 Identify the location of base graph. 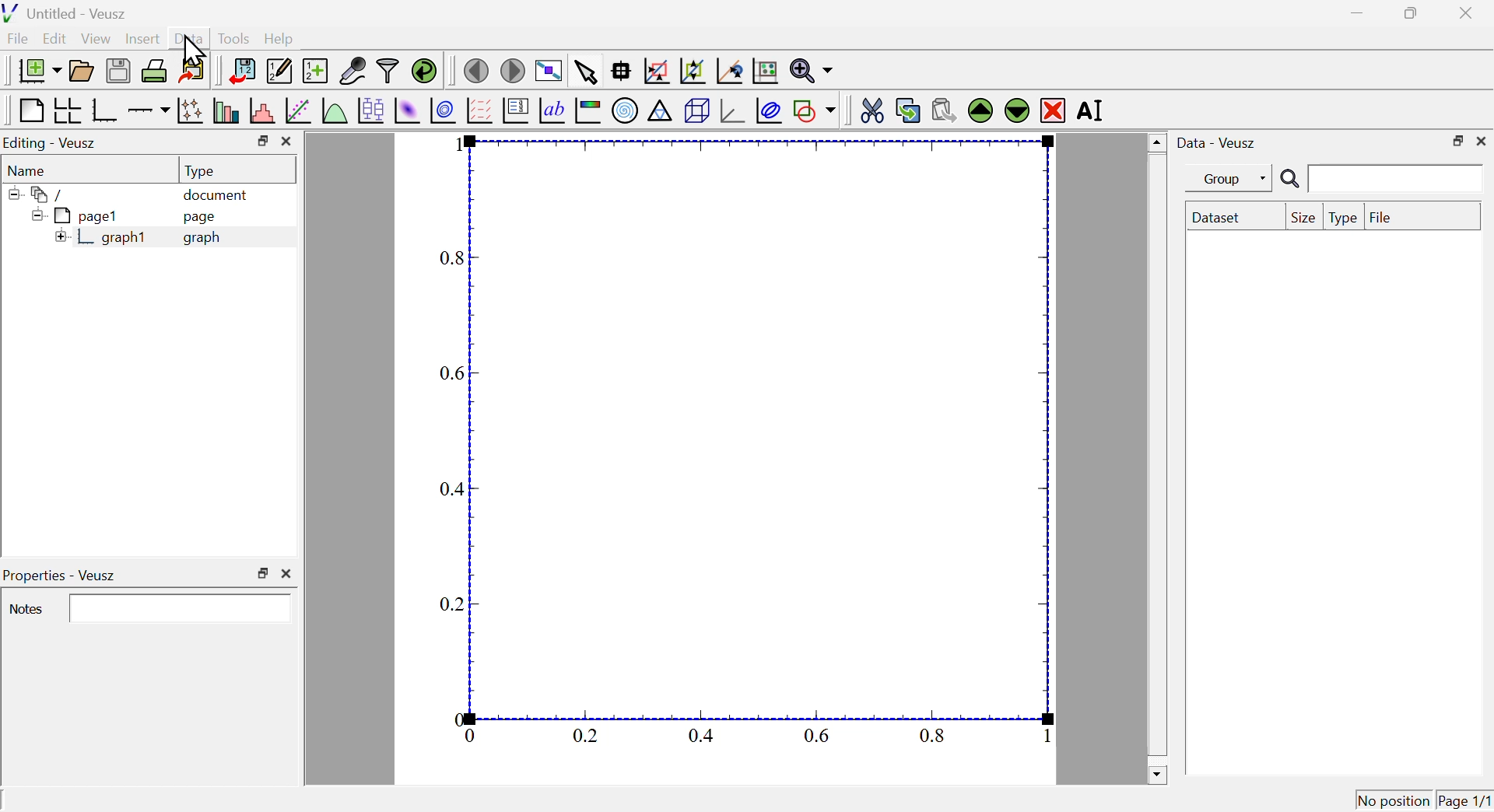
(105, 110).